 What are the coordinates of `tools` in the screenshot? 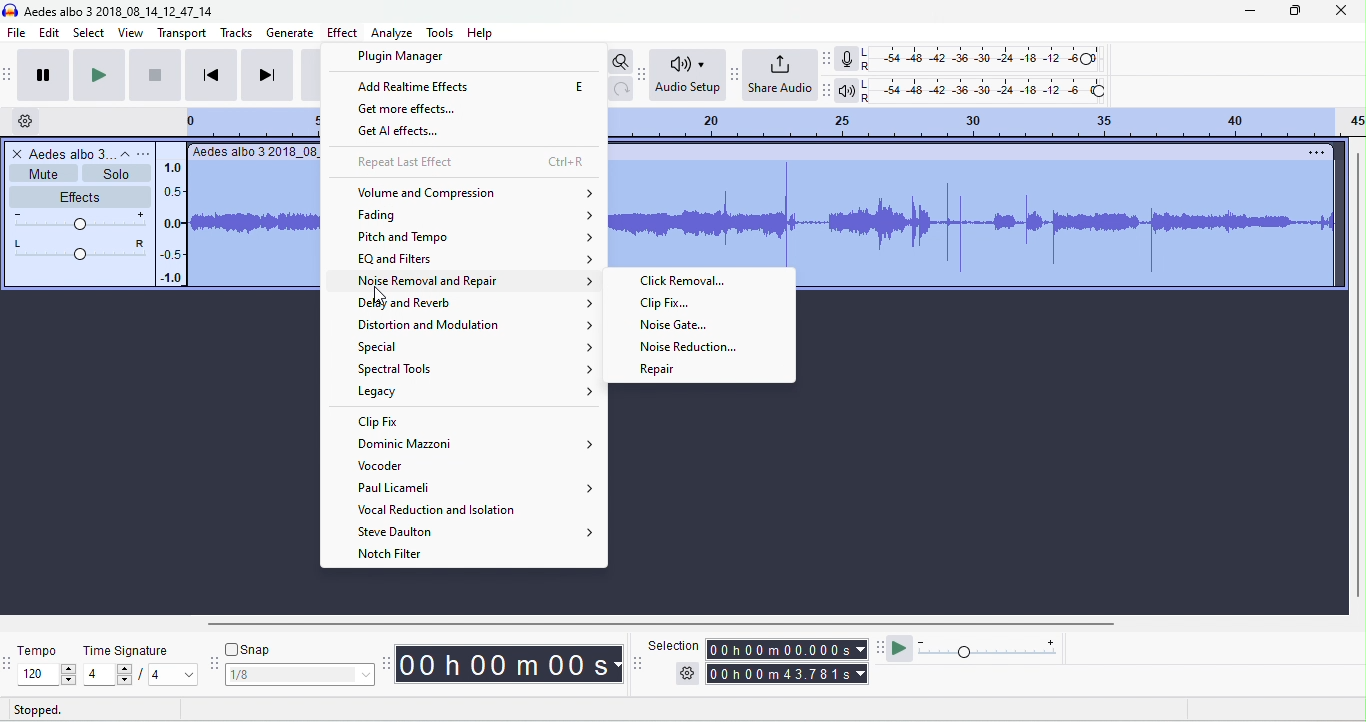 It's located at (441, 33).